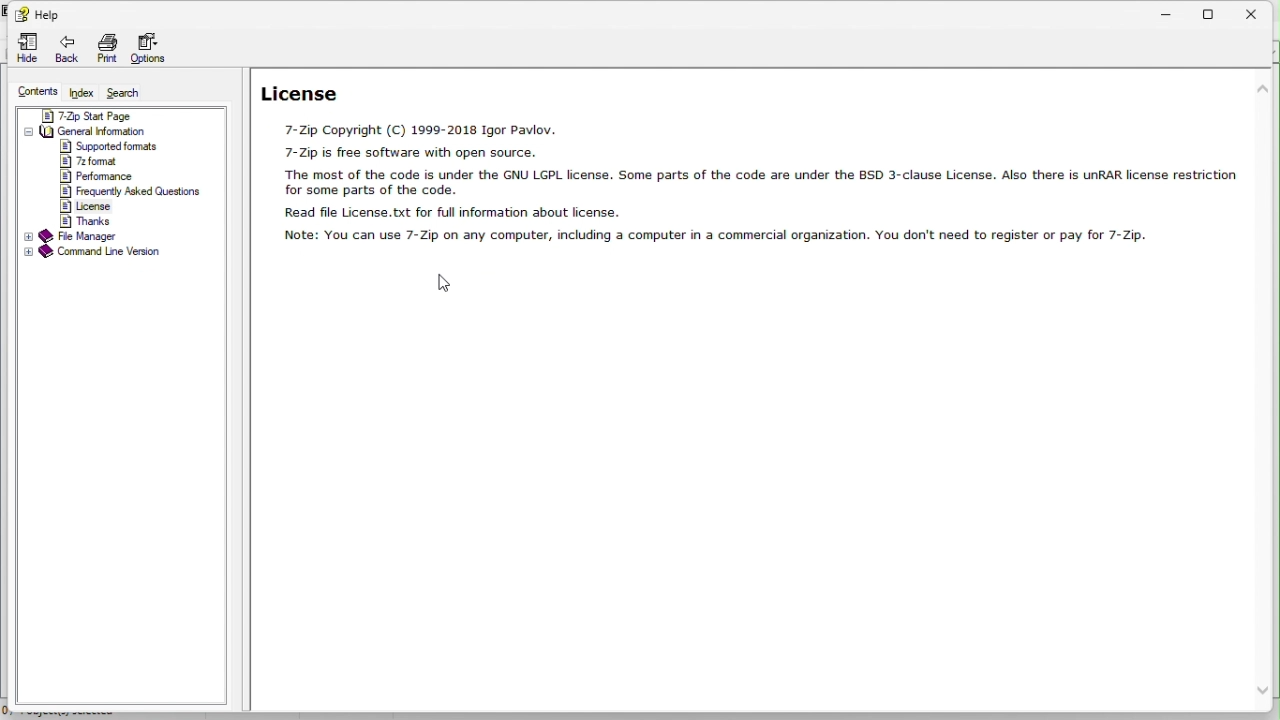  What do you see at coordinates (37, 12) in the screenshot?
I see `help` at bounding box center [37, 12].